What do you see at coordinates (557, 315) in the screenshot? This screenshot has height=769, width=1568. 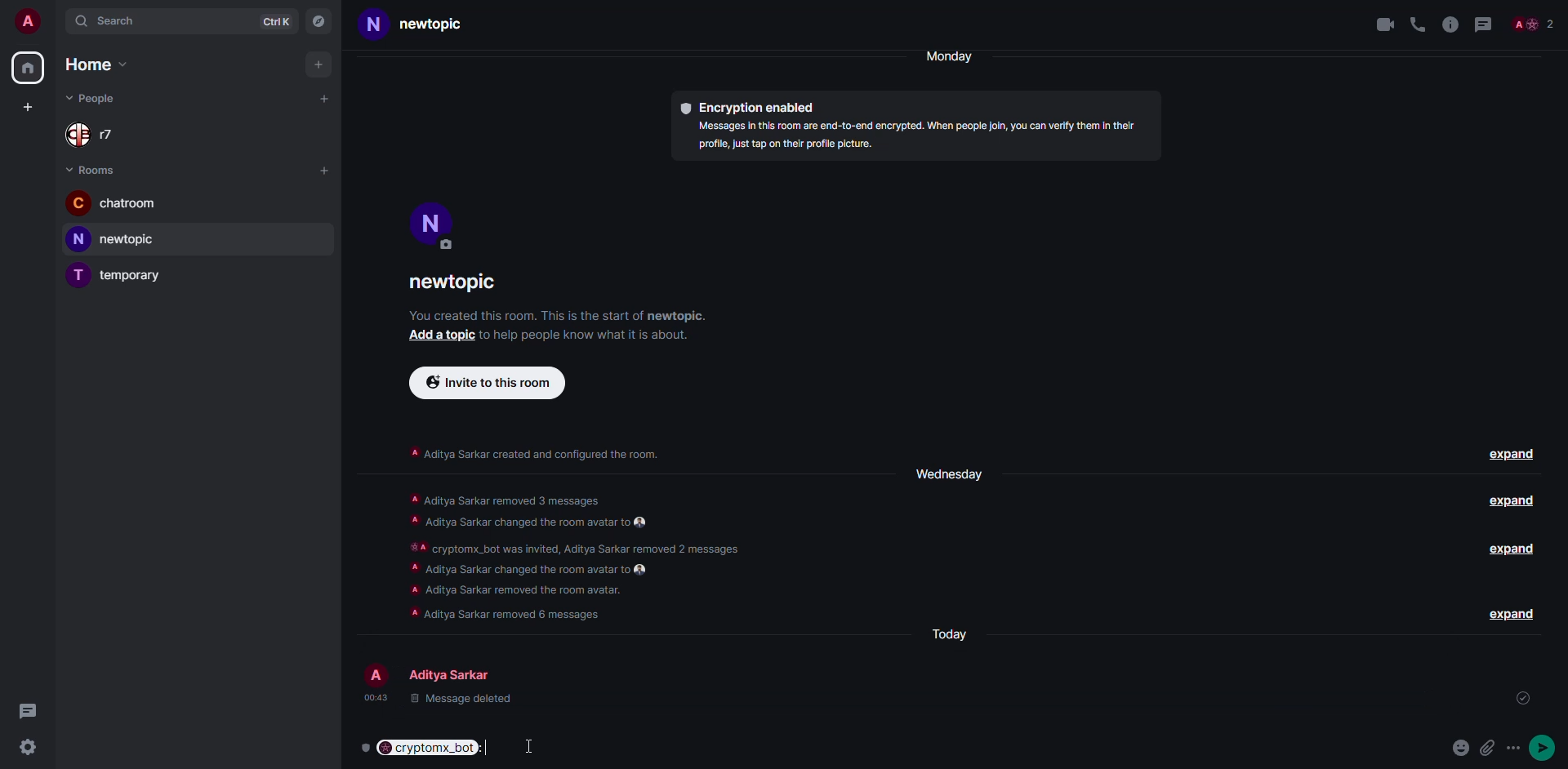 I see `info` at bounding box center [557, 315].